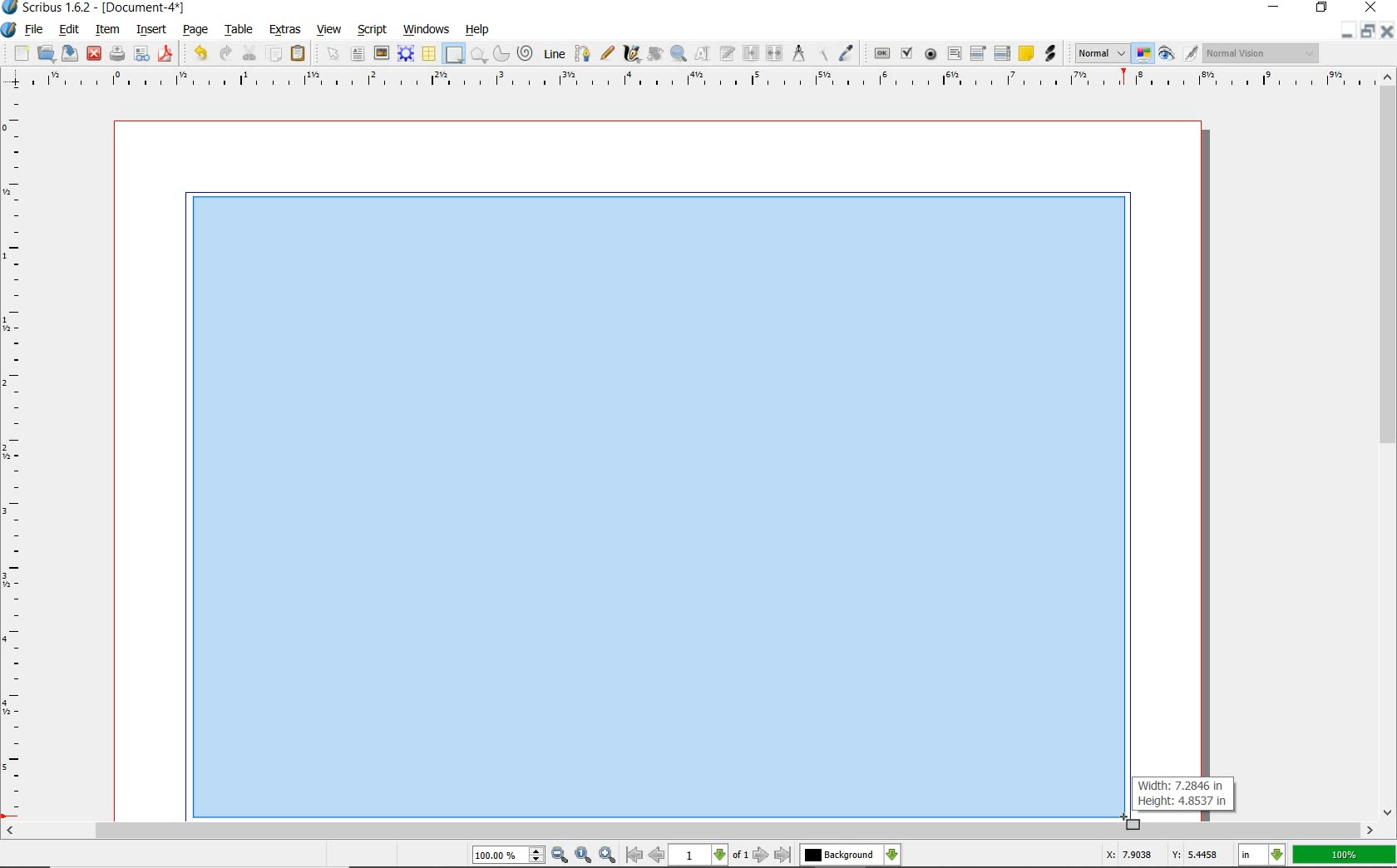 The width and height of the screenshot is (1397, 868). What do you see at coordinates (654, 55) in the screenshot?
I see `rotate item` at bounding box center [654, 55].